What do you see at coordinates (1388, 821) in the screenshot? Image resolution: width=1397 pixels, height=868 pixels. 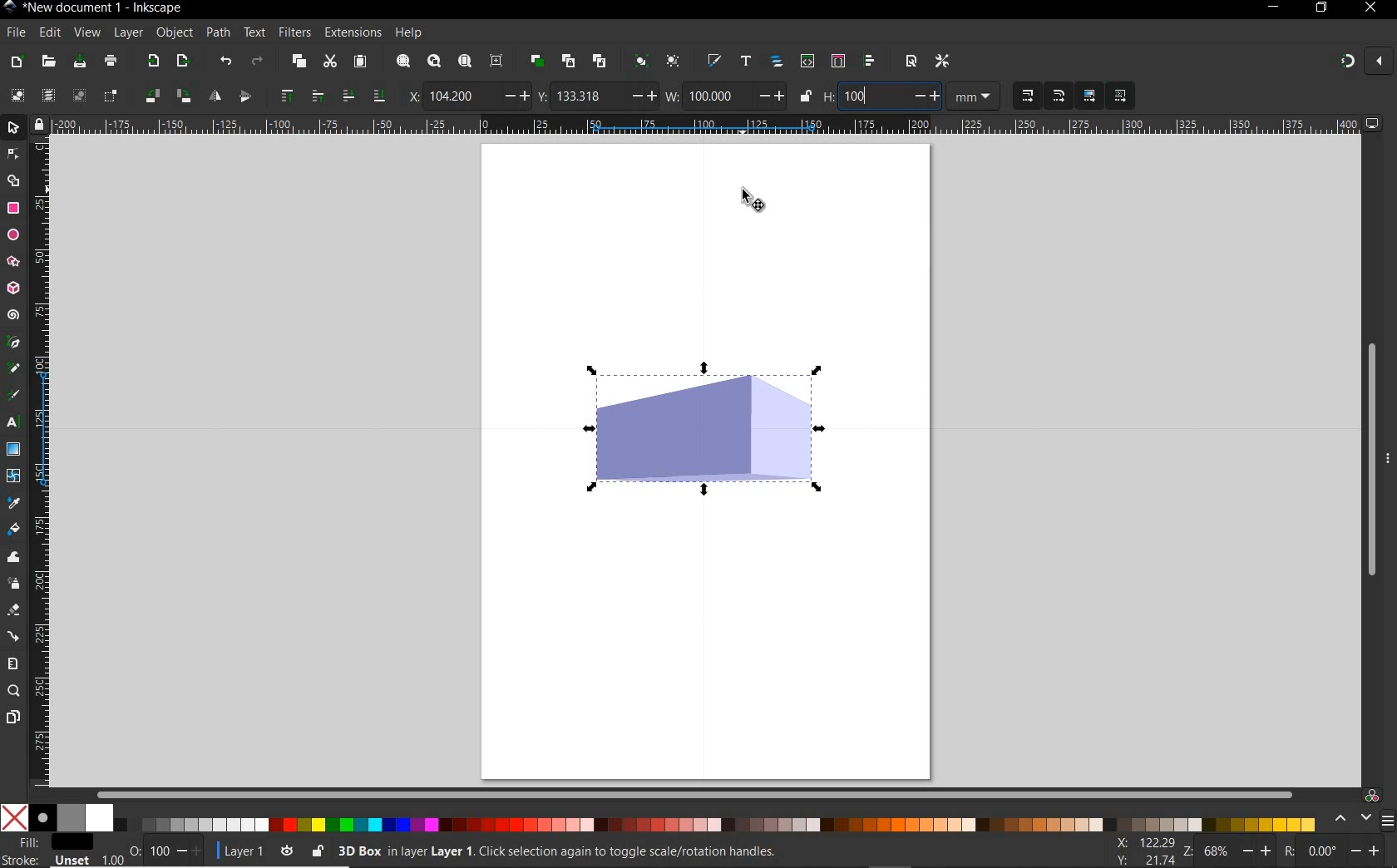 I see `menu` at bounding box center [1388, 821].